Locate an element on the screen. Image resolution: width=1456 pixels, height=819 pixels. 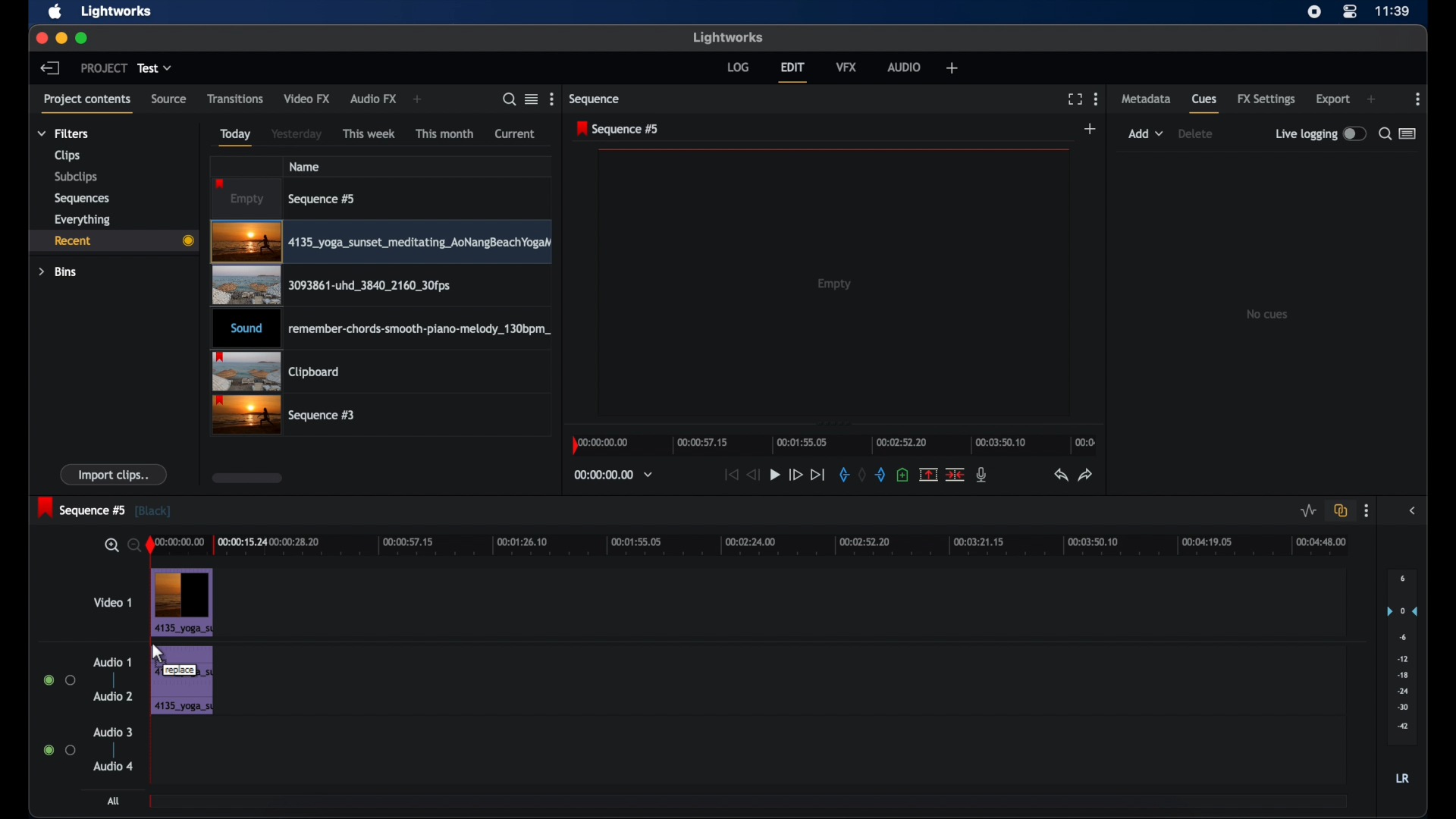
subclips is located at coordinates (77, 176).